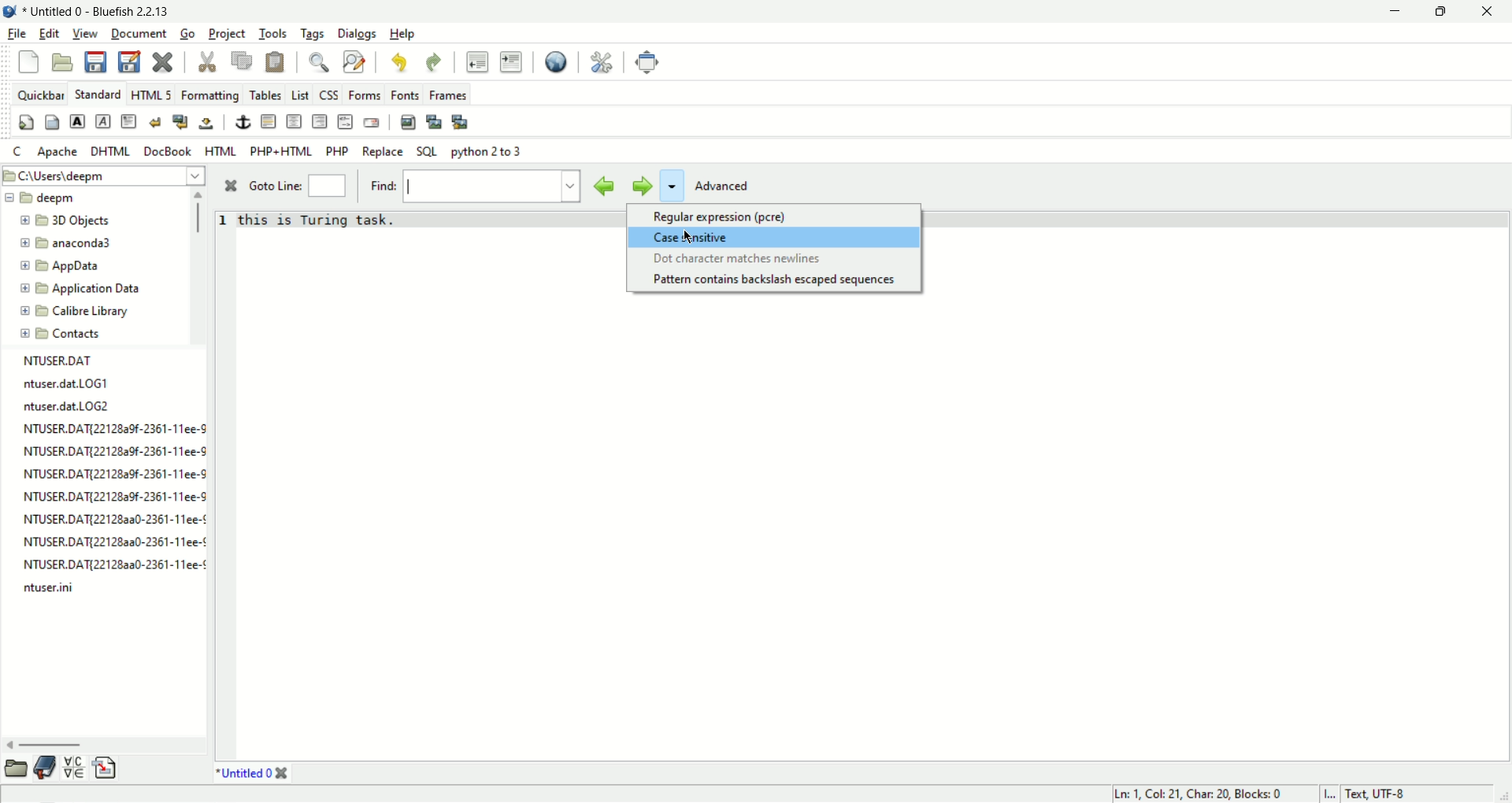 The image size is (1512, 803). Describe the element at coordinates (181, 123) in the screenshot. I see `break and clear` at that location.